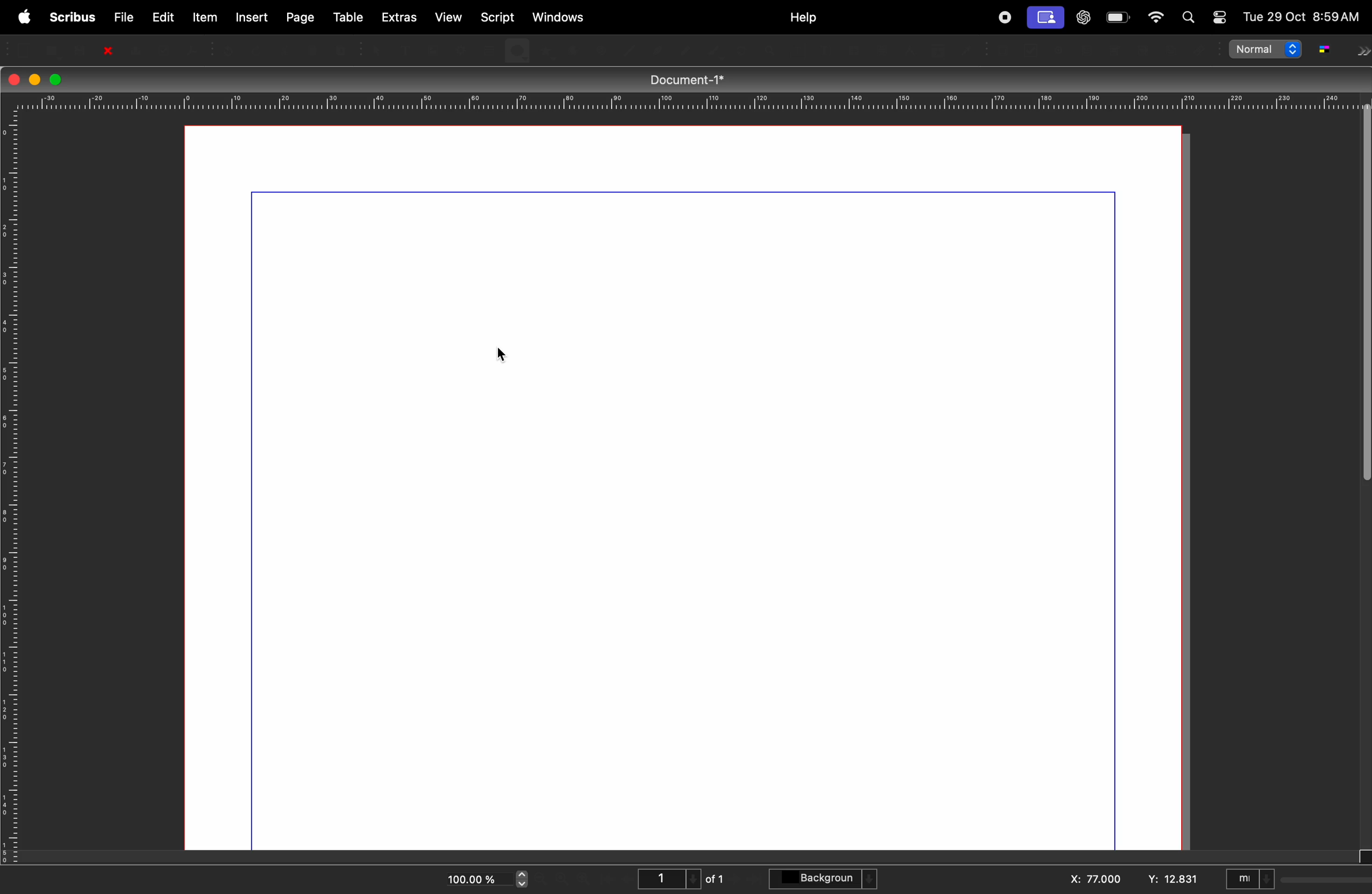 This screenshot has height=894, width=1372. Describe the element at coordinates (165, 48) in the screenshot. I see `Preflight verifier` at that location.